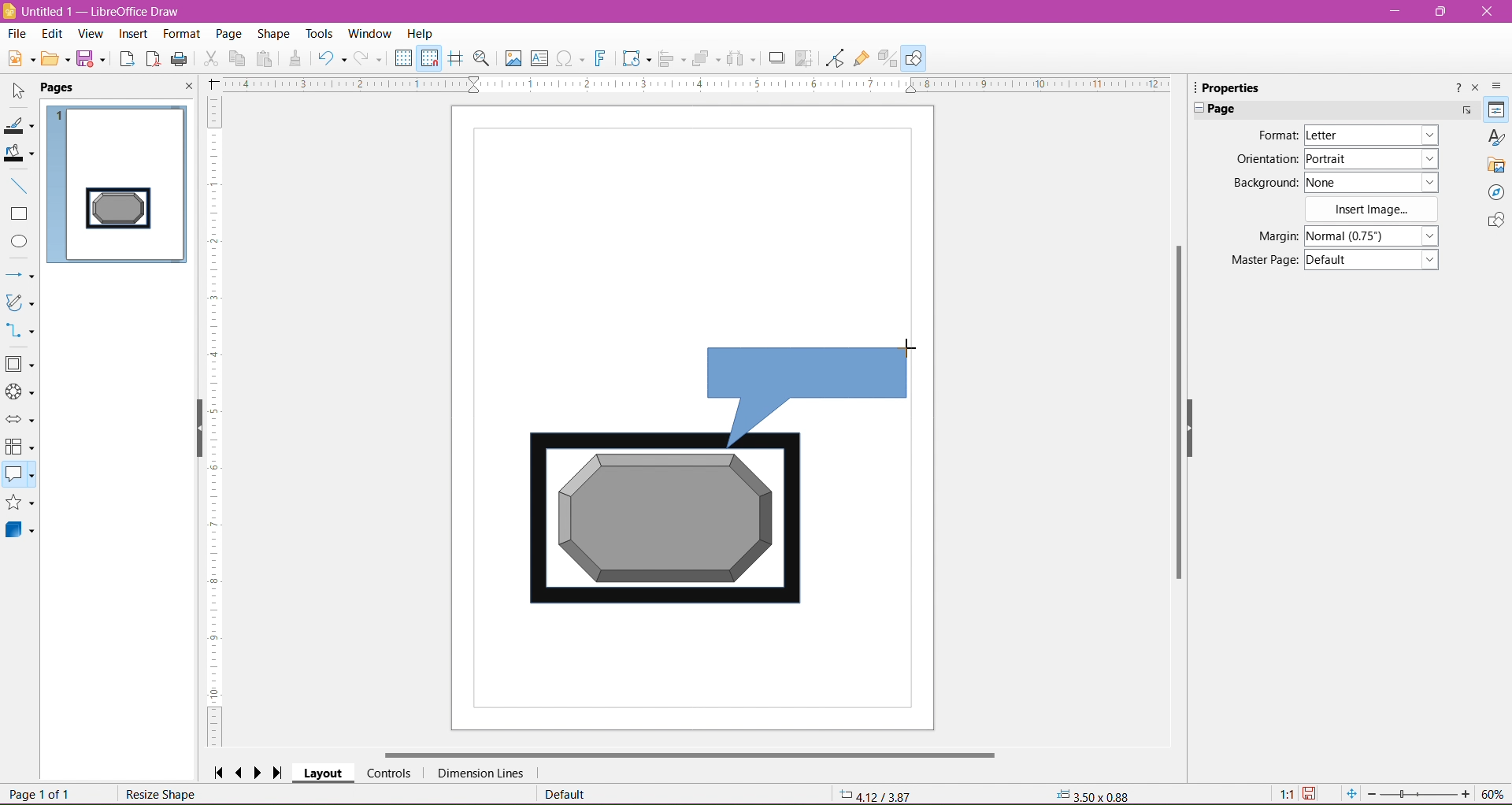  I want to click on Export directly as PDF, so click(153, 59).